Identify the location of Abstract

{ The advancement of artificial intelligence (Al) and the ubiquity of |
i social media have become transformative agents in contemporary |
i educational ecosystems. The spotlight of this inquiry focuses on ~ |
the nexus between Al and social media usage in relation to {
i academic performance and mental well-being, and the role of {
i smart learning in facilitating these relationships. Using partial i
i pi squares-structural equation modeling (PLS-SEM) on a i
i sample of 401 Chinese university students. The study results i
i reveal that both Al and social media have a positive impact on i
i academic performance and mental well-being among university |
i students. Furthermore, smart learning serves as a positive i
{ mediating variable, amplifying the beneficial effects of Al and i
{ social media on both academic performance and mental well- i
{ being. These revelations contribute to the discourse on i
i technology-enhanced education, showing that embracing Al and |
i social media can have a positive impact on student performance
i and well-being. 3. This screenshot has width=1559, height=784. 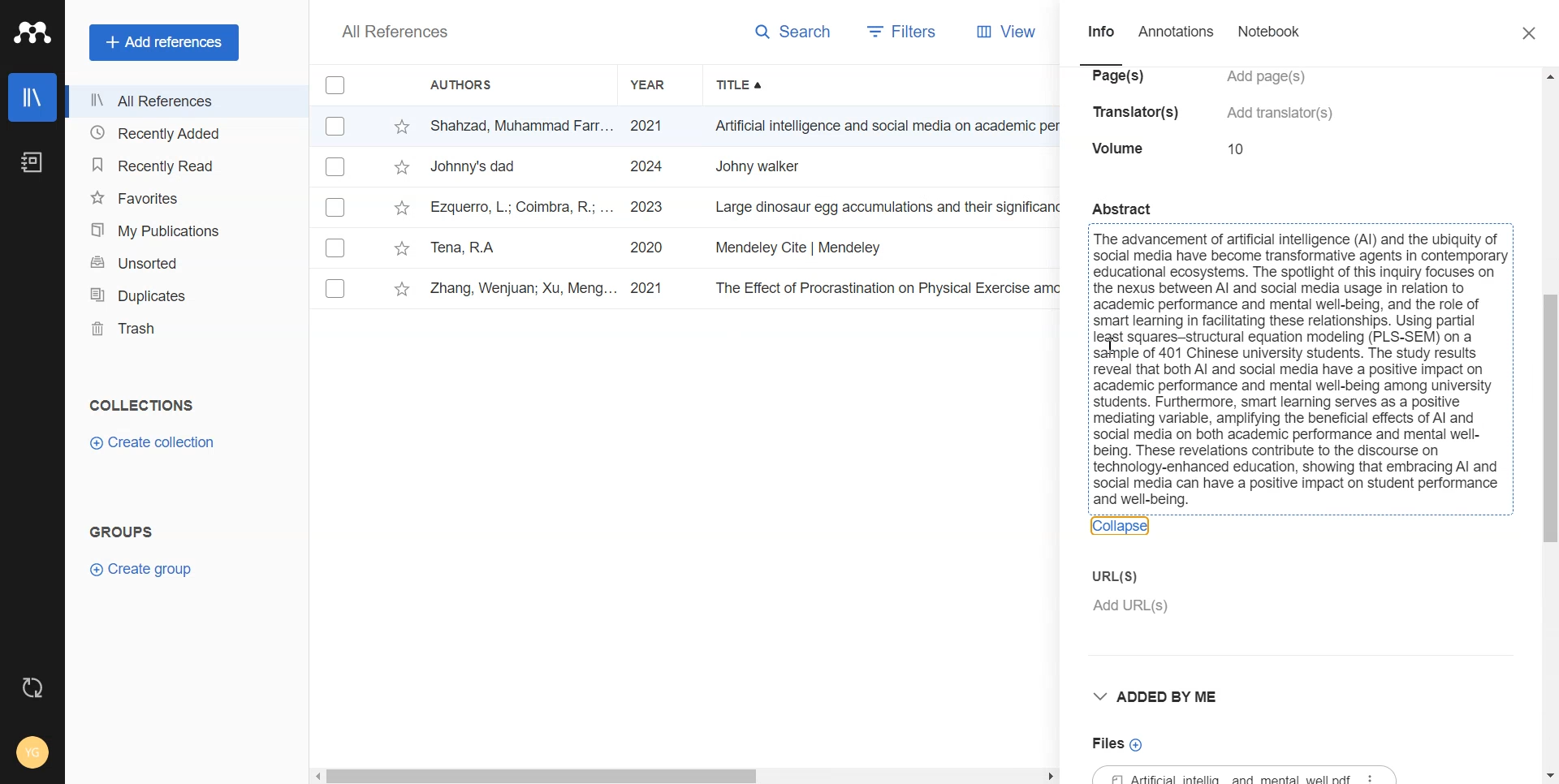
(1303, 357).